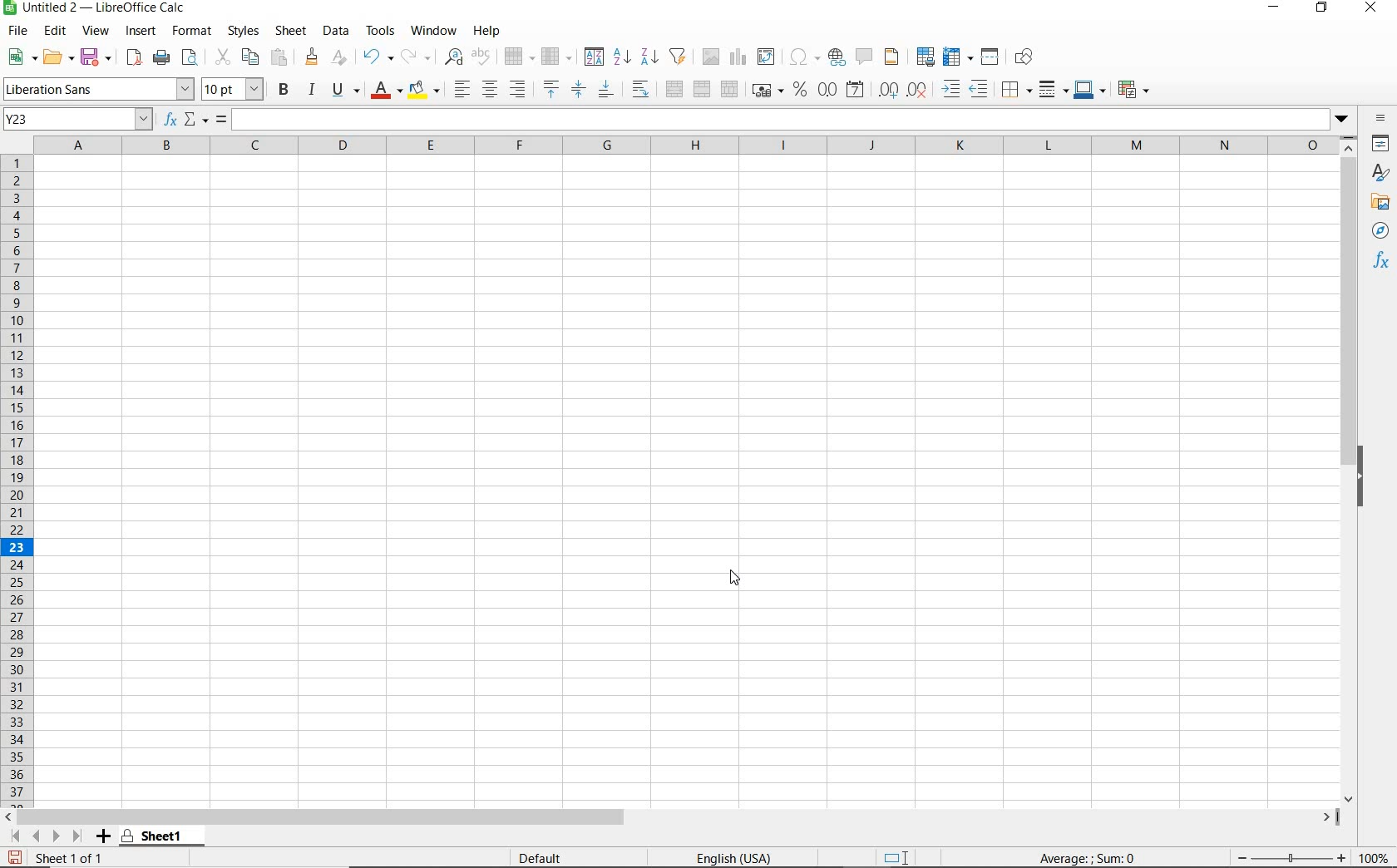 This screenshot has height=868, width=1397. What do you see at coordinates (196, 121) in the screenshot?
I see `SELECT FUNCTION` at bounding box center [196, 121].